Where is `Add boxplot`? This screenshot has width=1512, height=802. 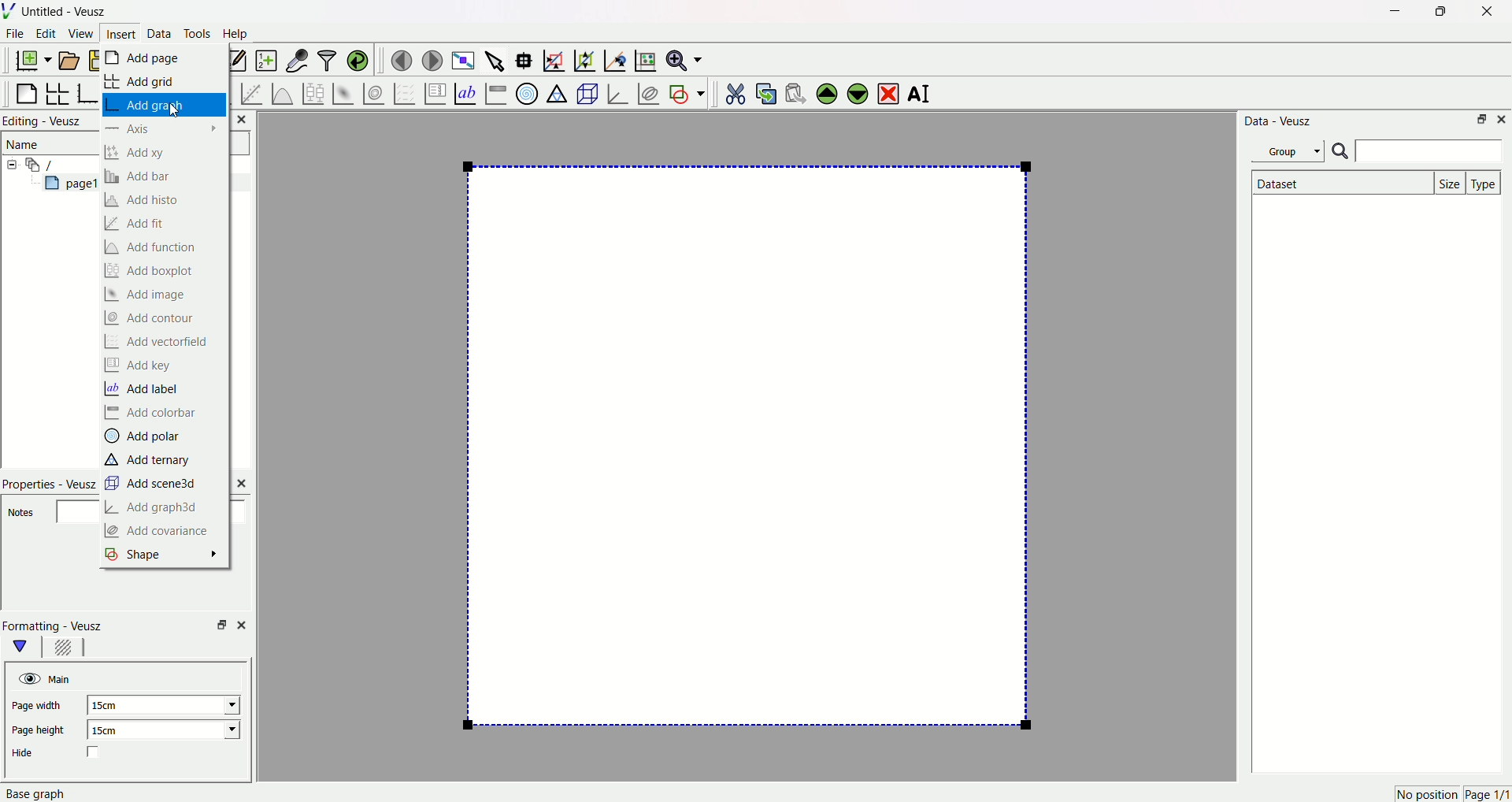 Add boxplot is located at coordinates (161, 269).